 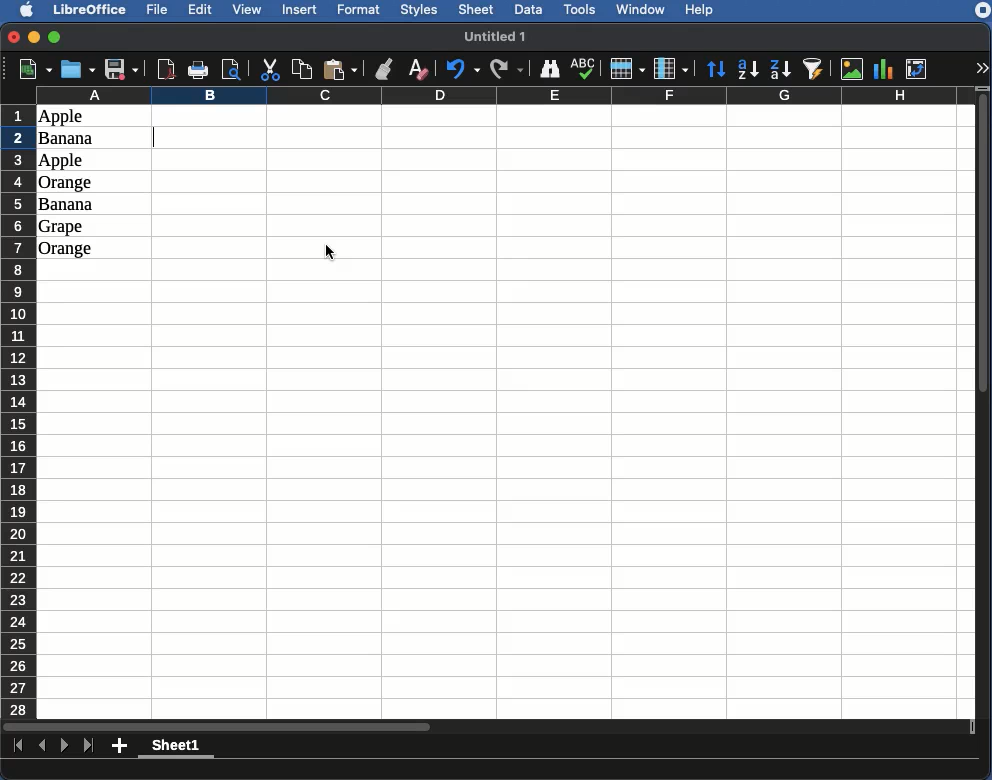 What do you see at coordinates (502, 95) in the screenshot?
I see `Columns` at bounding box center [502, 95].